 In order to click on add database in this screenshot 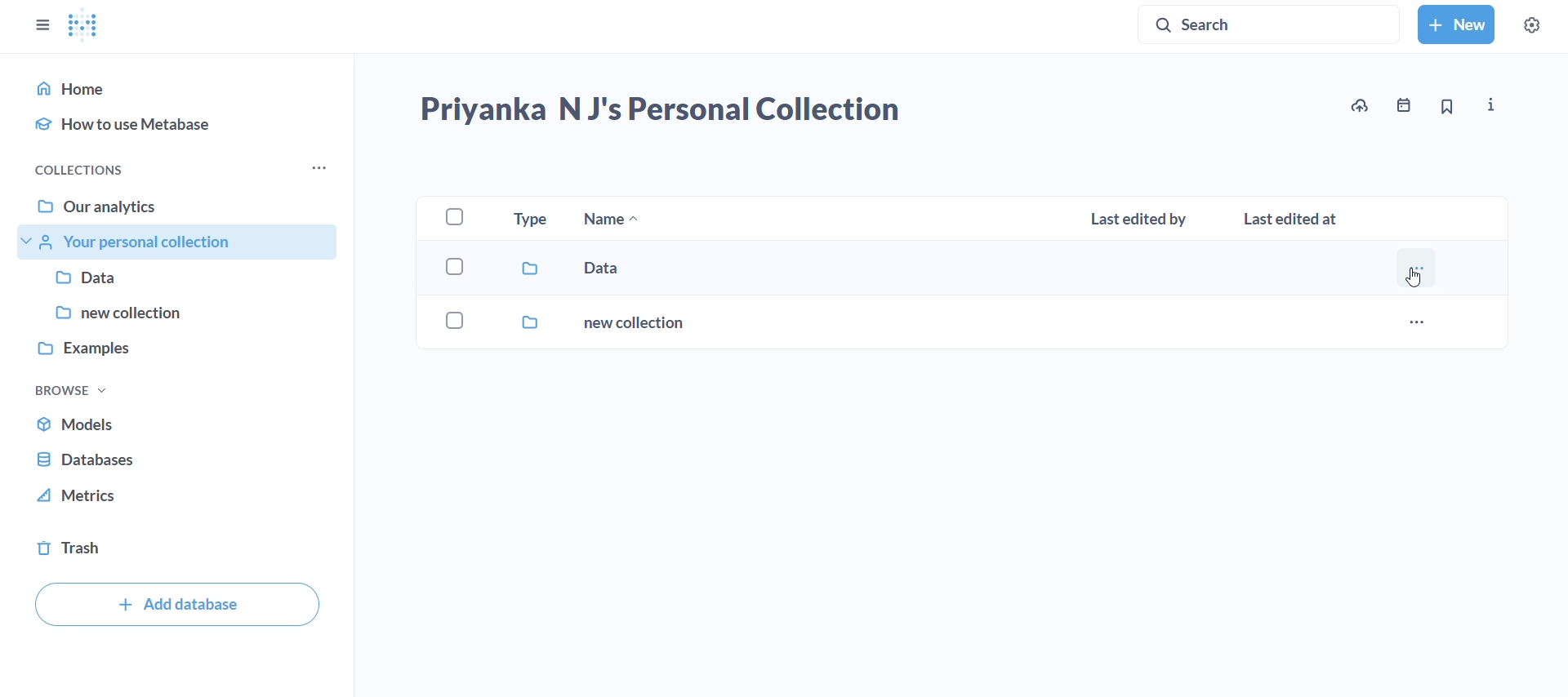, I will do `click(176, 604)`.